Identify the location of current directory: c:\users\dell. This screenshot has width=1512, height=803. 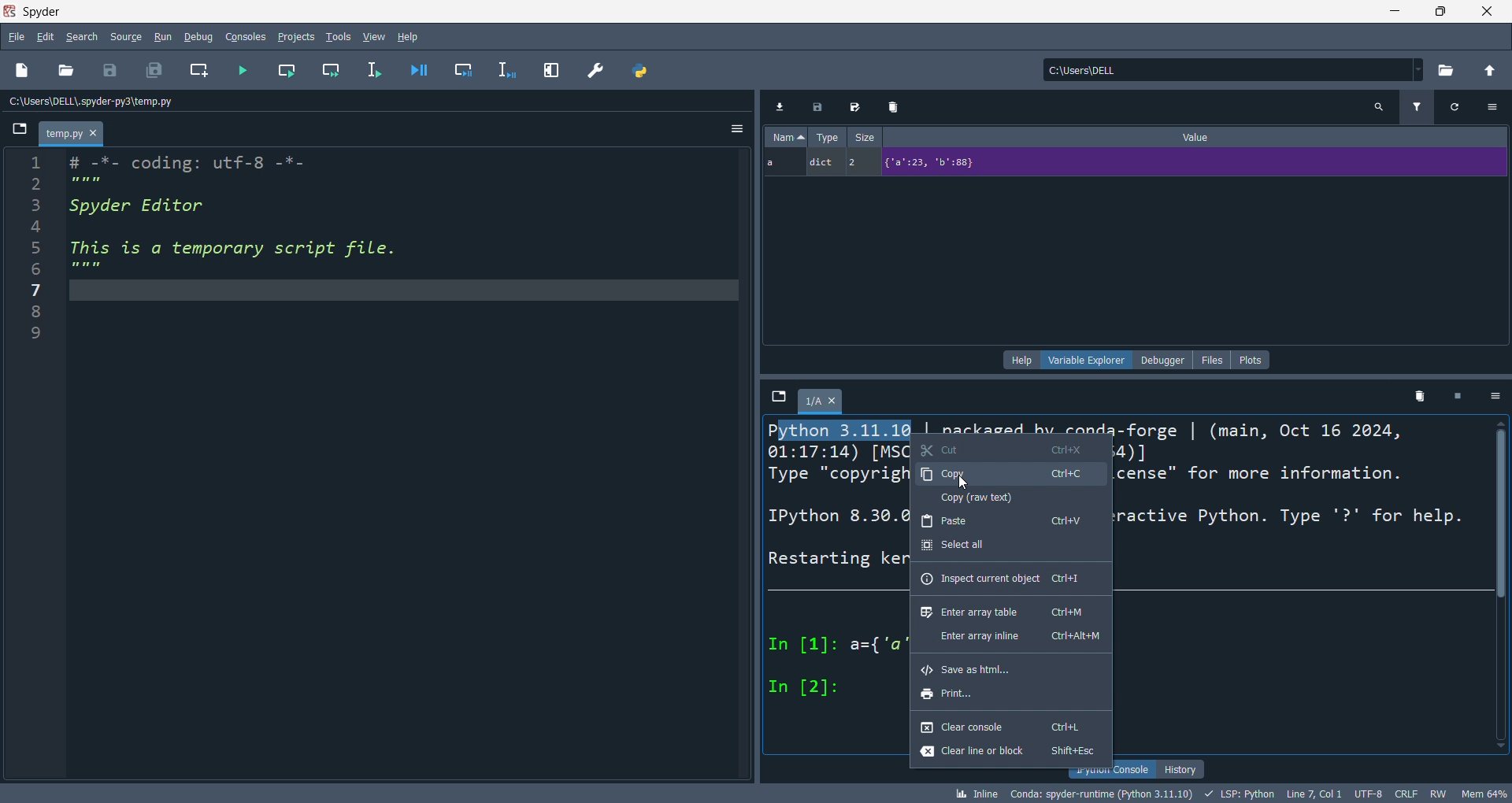
(1236, 71).